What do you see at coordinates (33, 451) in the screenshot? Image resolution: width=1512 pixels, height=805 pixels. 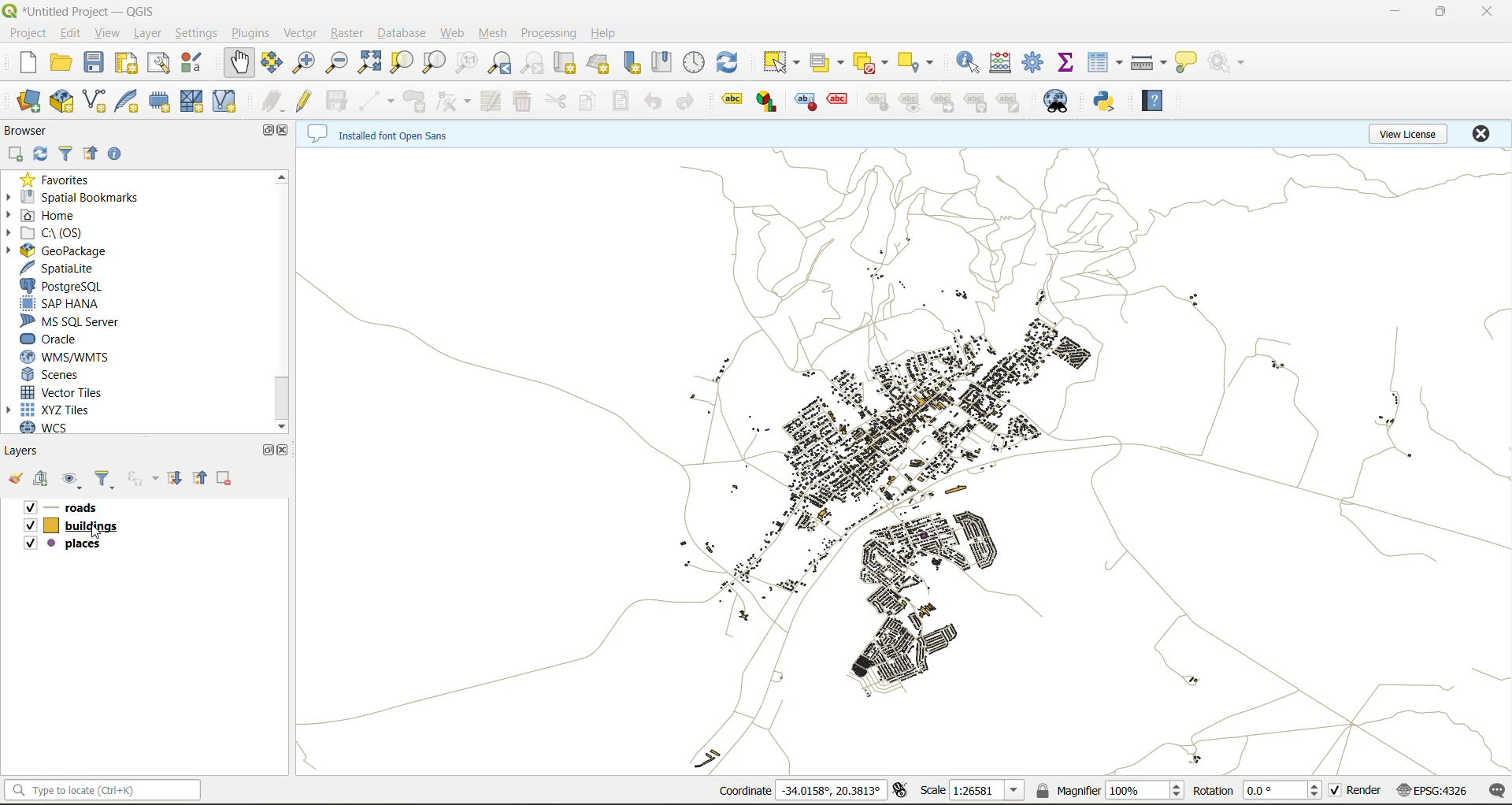 I see `layers` at bounding box center [33, 451].